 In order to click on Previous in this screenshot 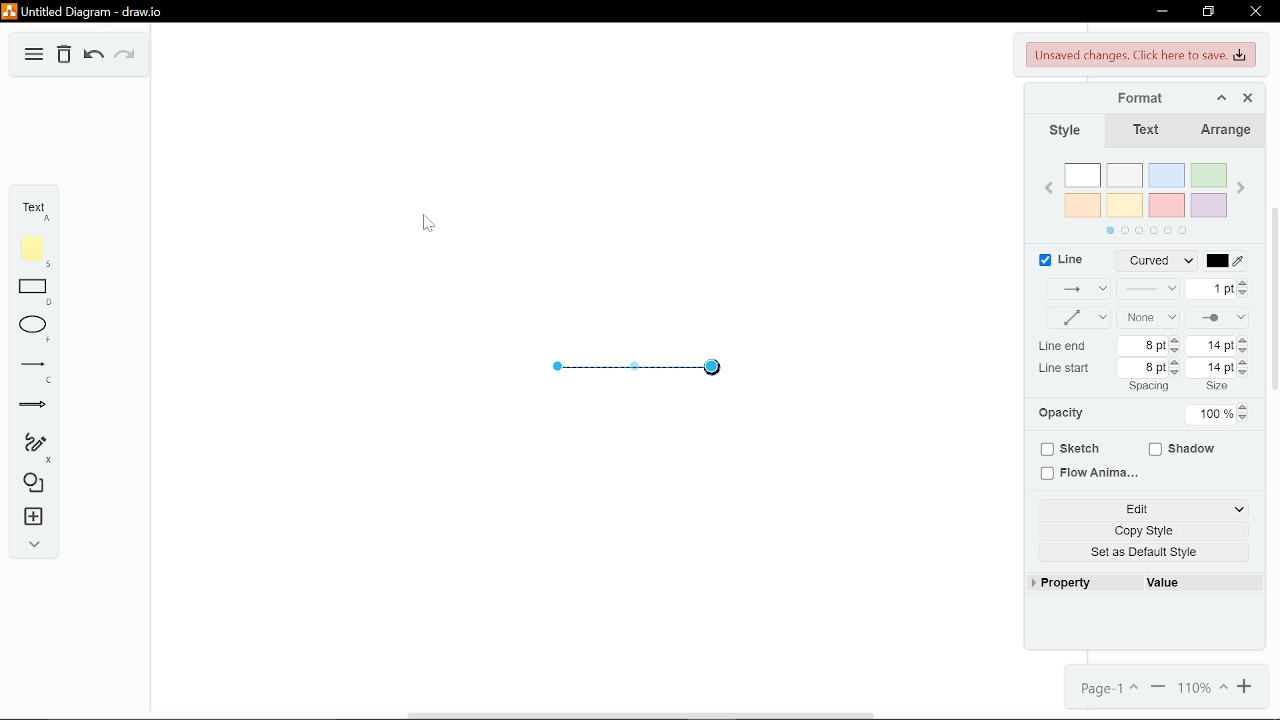, I will do `click(1050, 186)`.